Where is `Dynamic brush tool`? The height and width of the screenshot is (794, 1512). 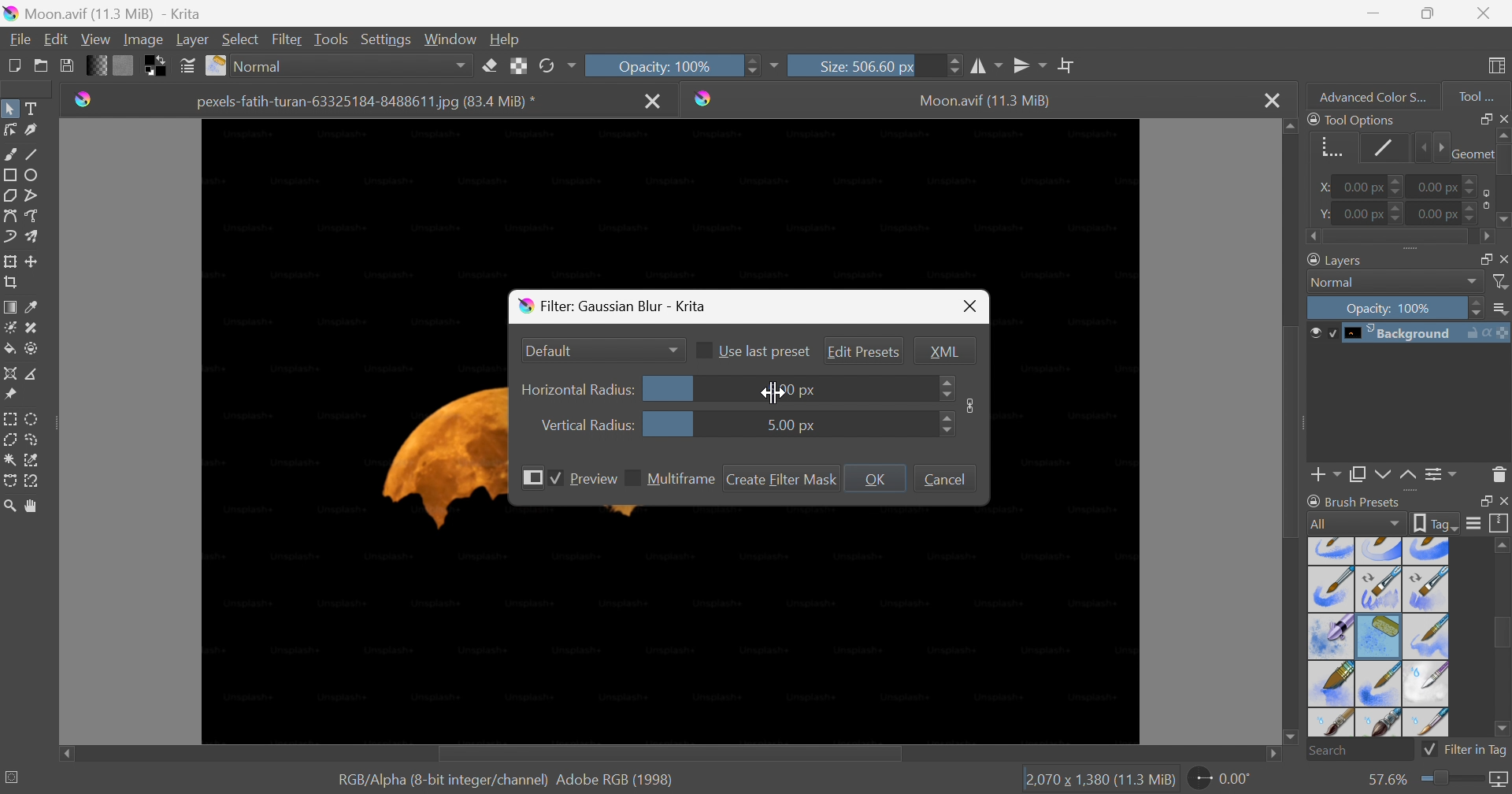 Dynamic brush tool is located at coordinates (11, 239).